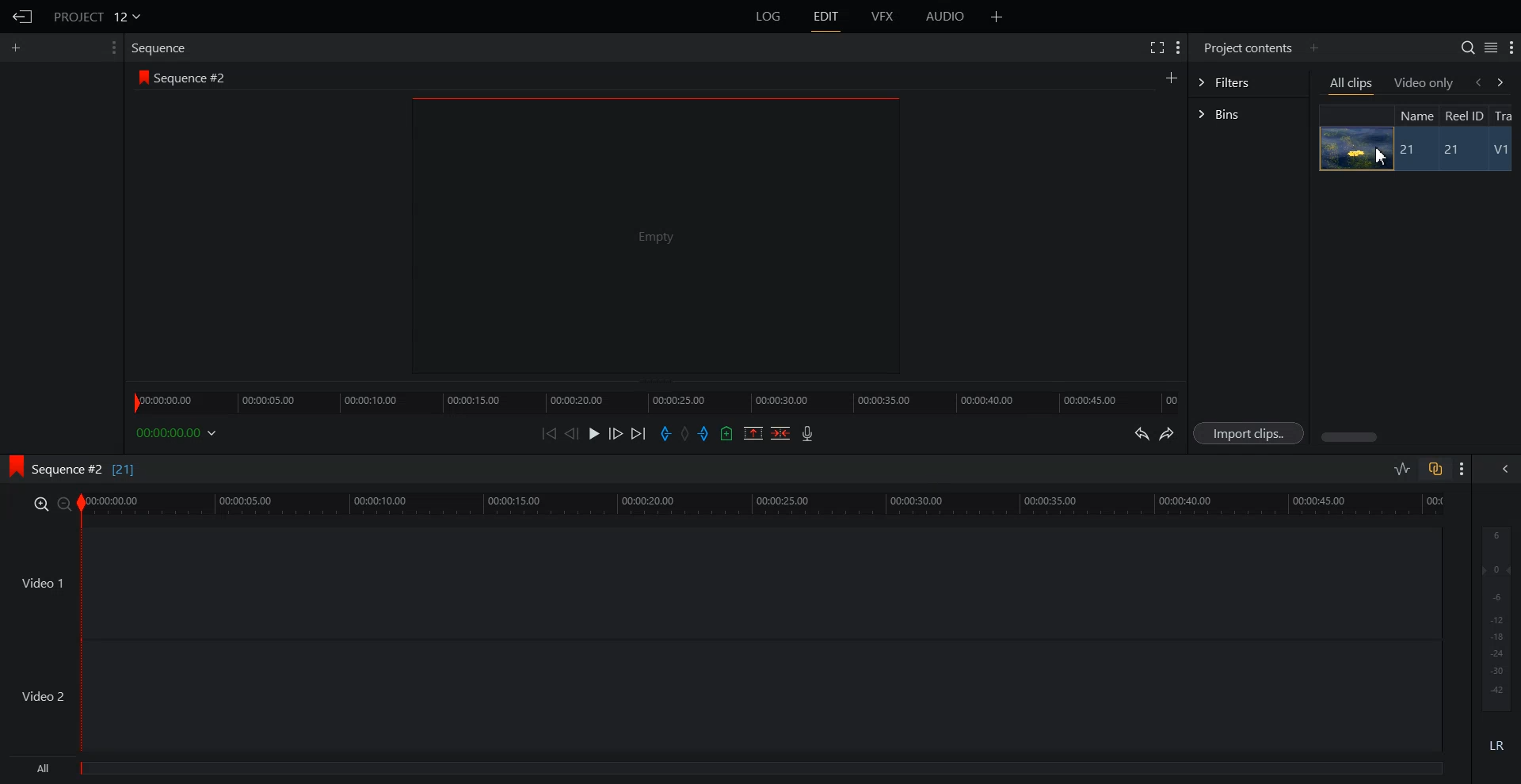 The image size is (1521, 784). Describe the element at coordinates (85, 470) in the screenshot. I see `Sequence #2 [21]` at that location.